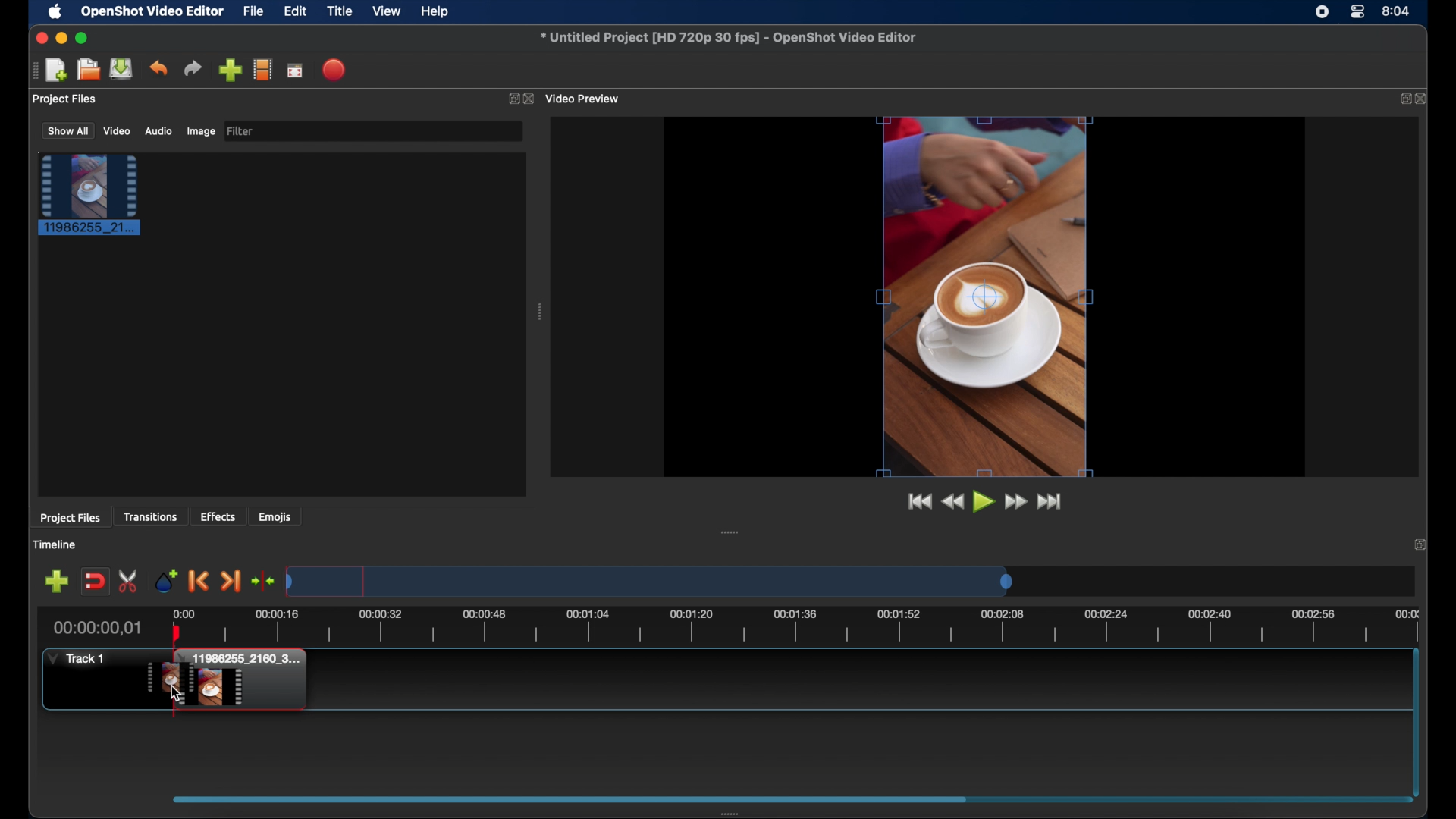 Image resolution: width=1456 pixels, height=819 pixels. What do you see at coordinates (58, 69) in the screenshot?
I see `new project` at bounding box center [58, 69].